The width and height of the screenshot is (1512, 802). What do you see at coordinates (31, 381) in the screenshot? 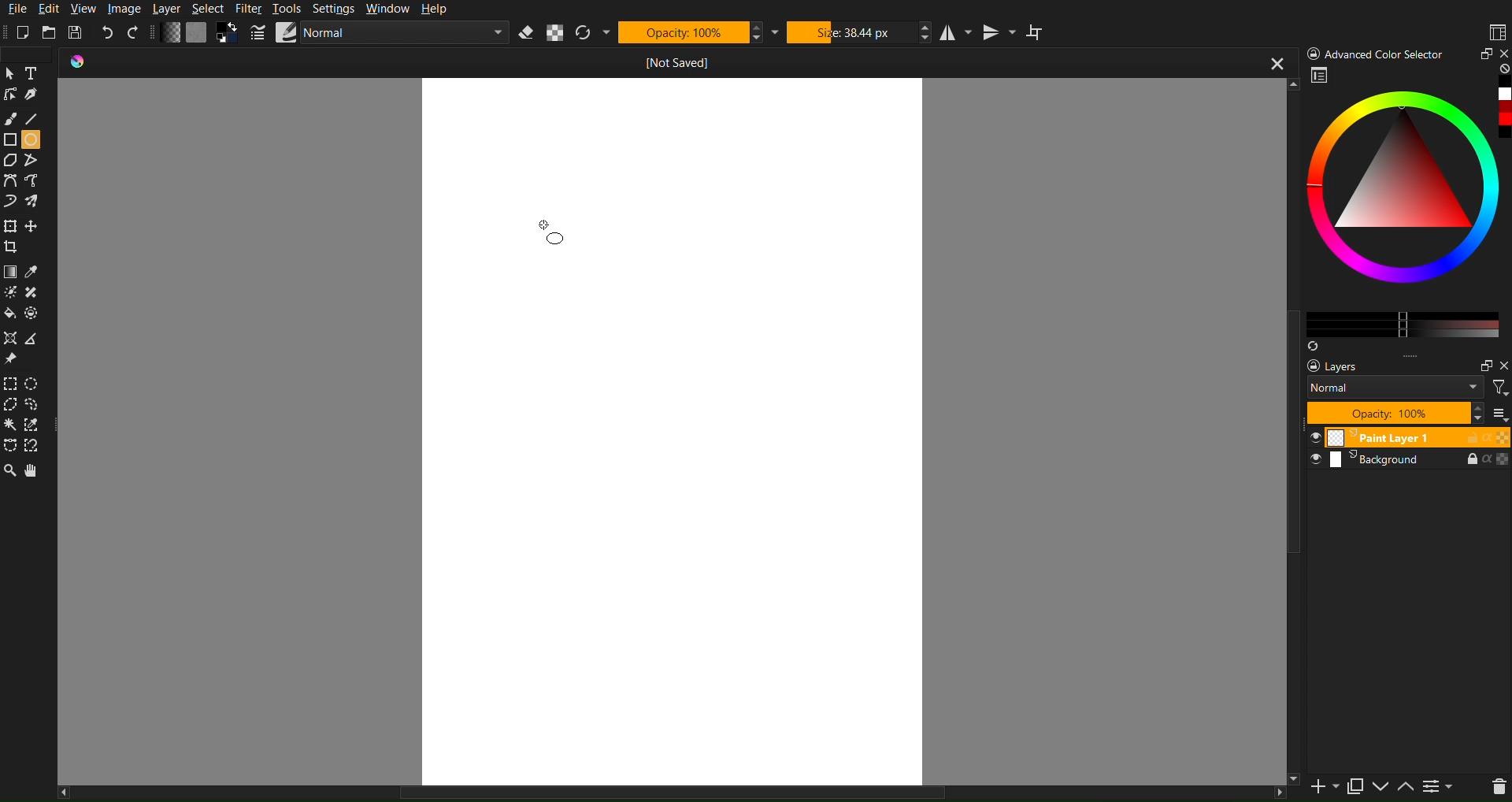
I see `Selction Circle` at bounding box center [31, 381].